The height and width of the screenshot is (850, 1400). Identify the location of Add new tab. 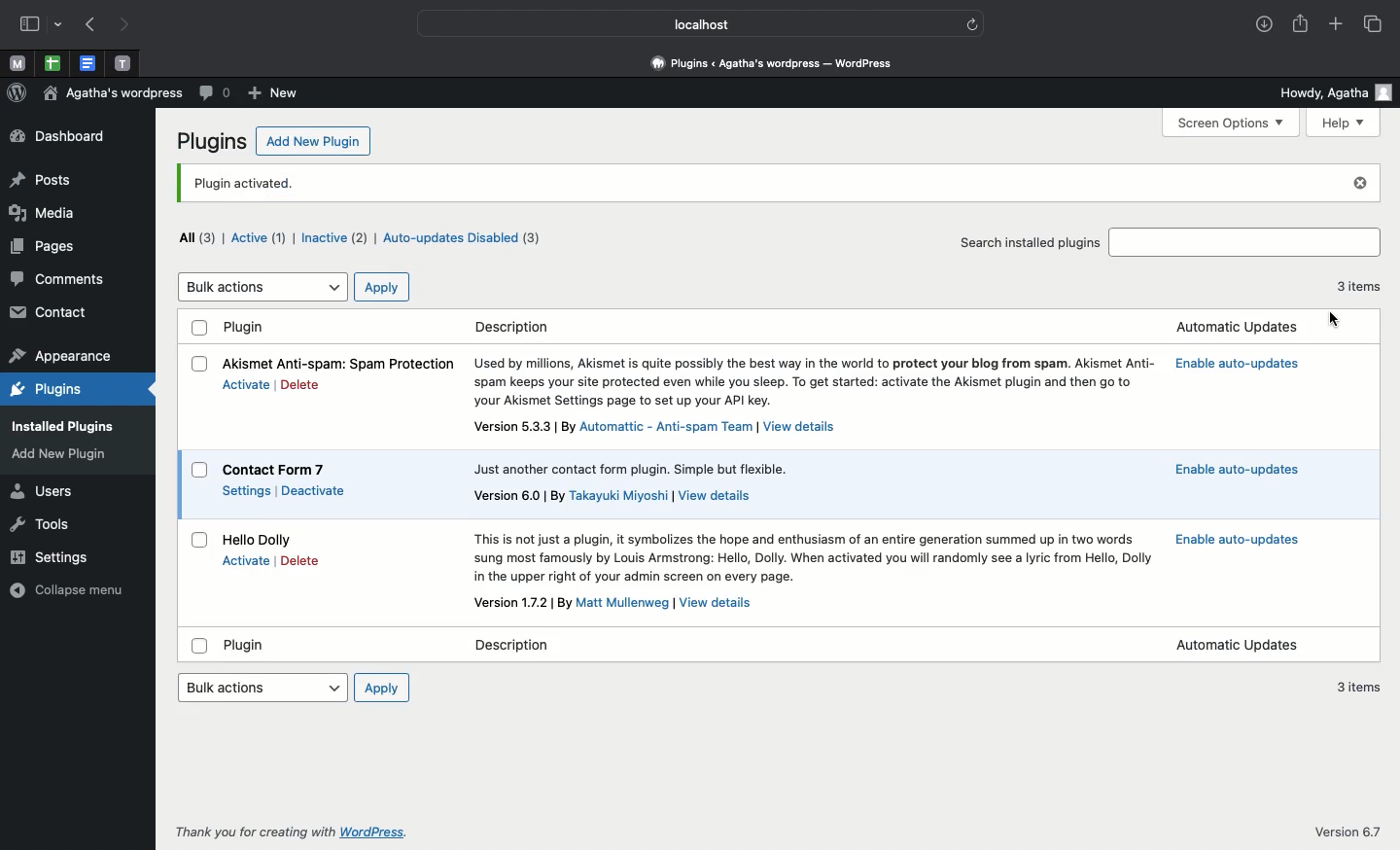
(1336, 24).